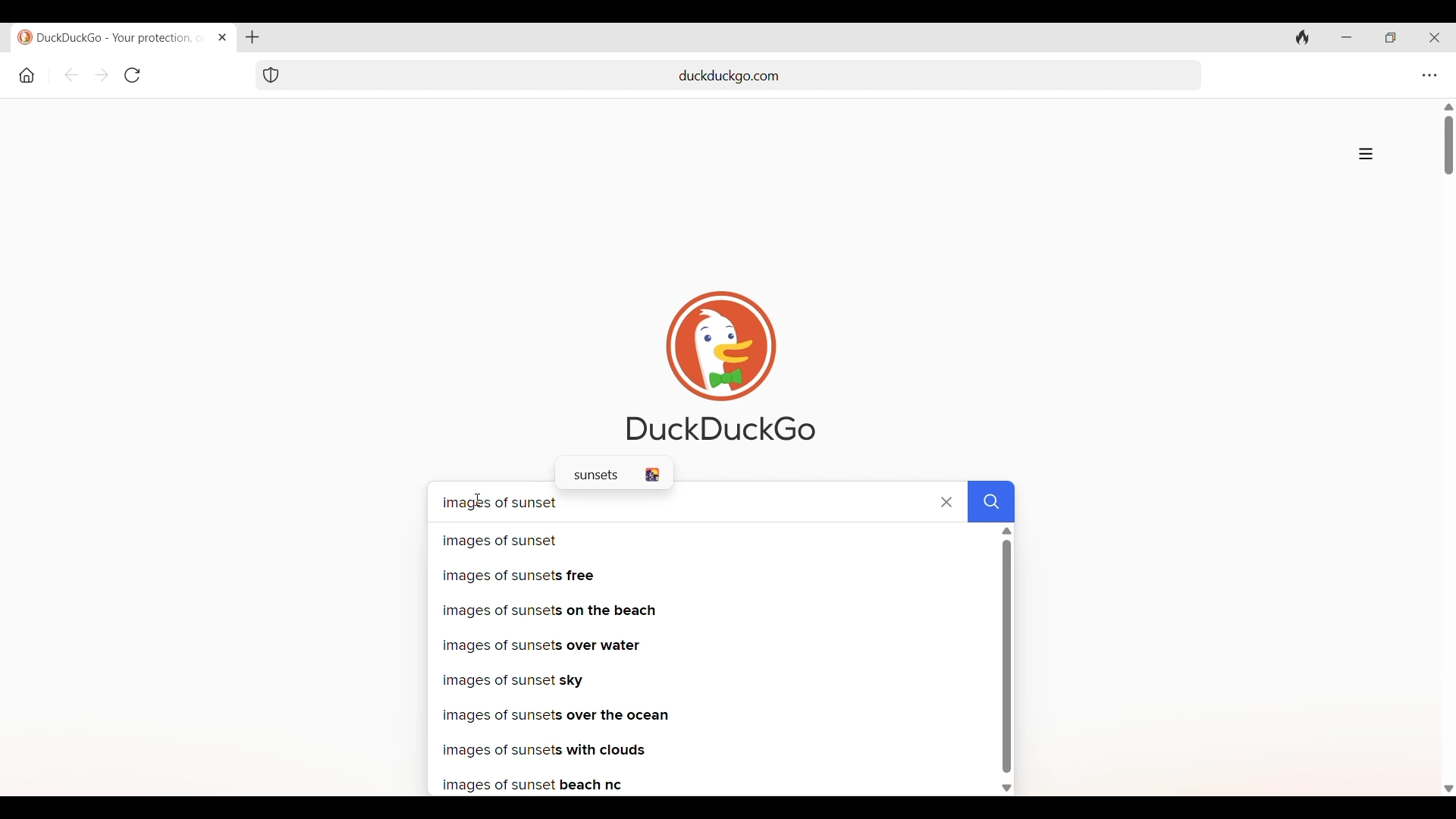 The image size is (1456, 819). What do you see at coordinates (712, 715) in the screenshot?
I see `Images of sunsets over the ocean ` at bounding box center [712, 715].